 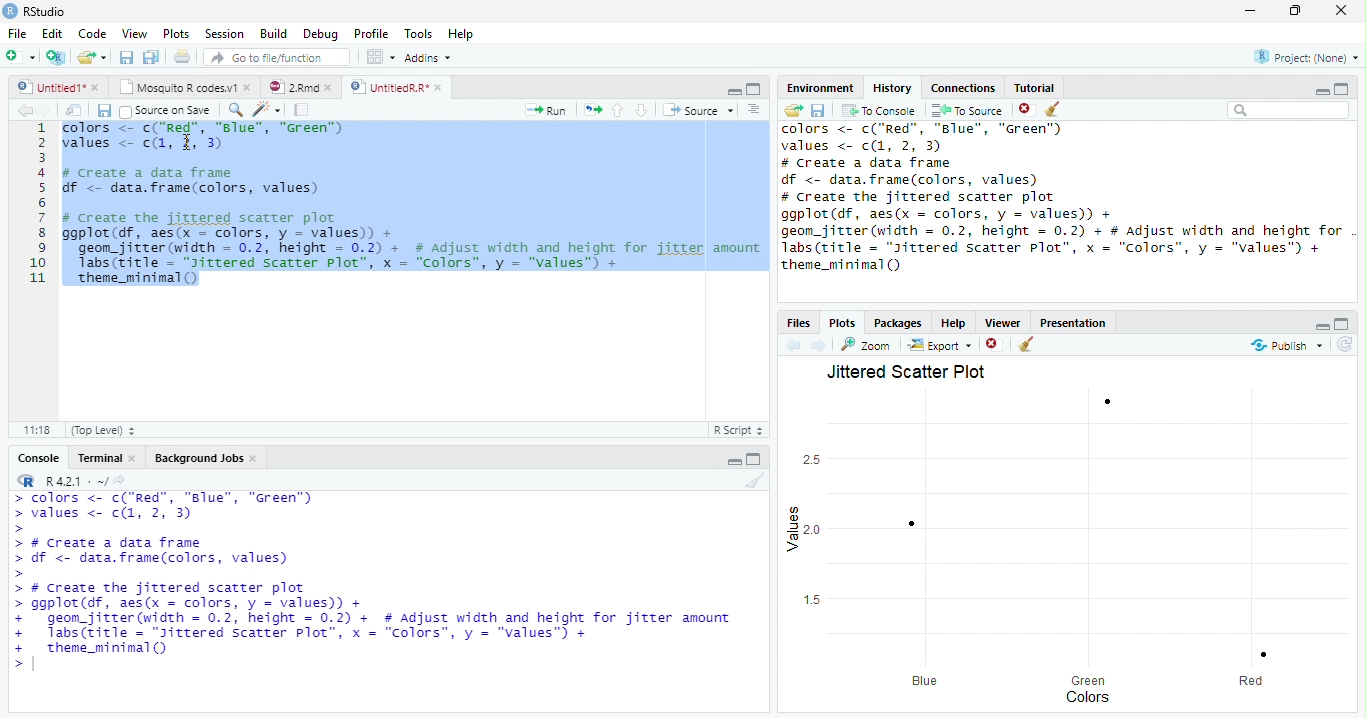 What do you see at coordinates (134, 33) in the screenshot?
I see `View` at bounding box center [134, 33].